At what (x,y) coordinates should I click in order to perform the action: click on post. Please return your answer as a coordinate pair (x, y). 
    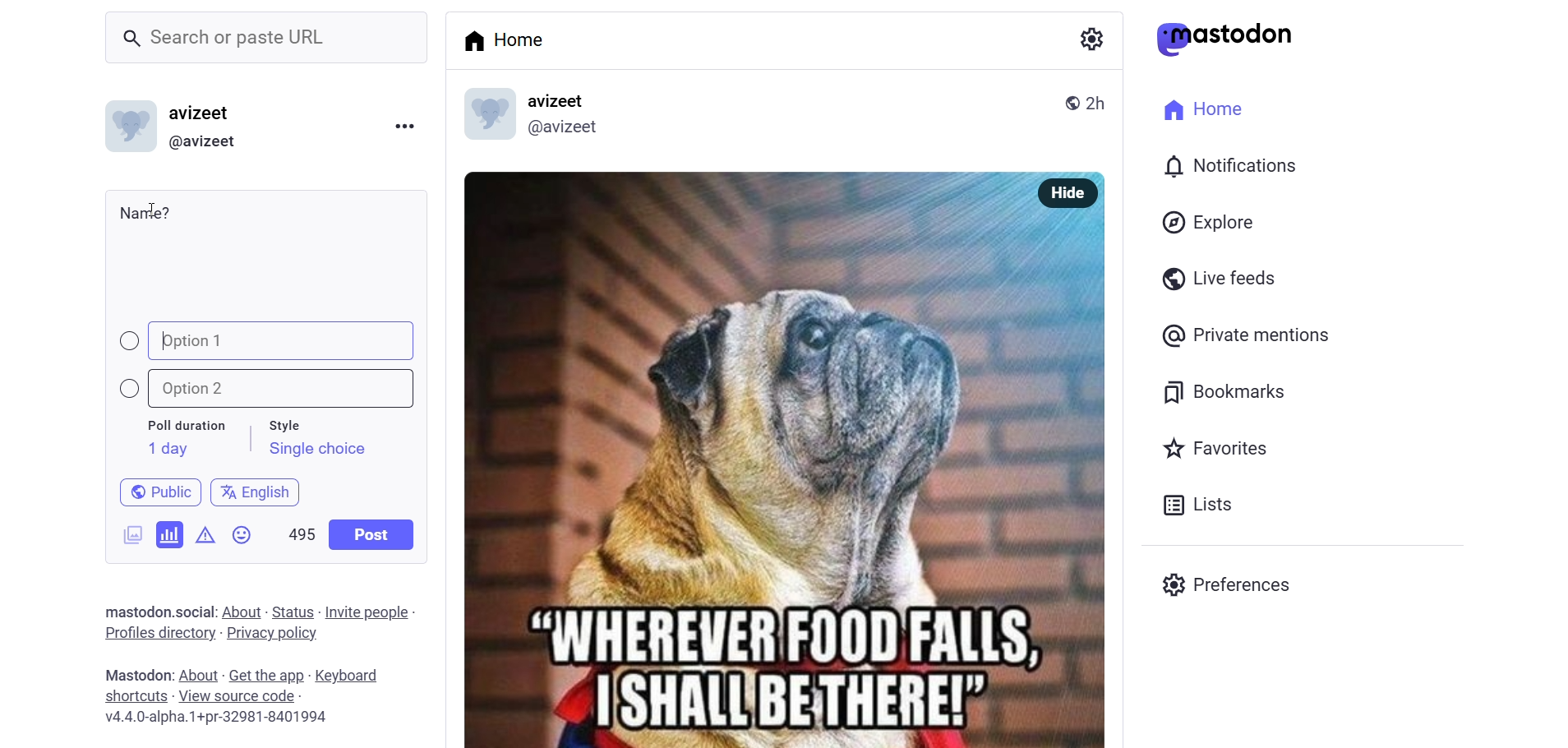
    Looking at the image, I should click on (373, 534).